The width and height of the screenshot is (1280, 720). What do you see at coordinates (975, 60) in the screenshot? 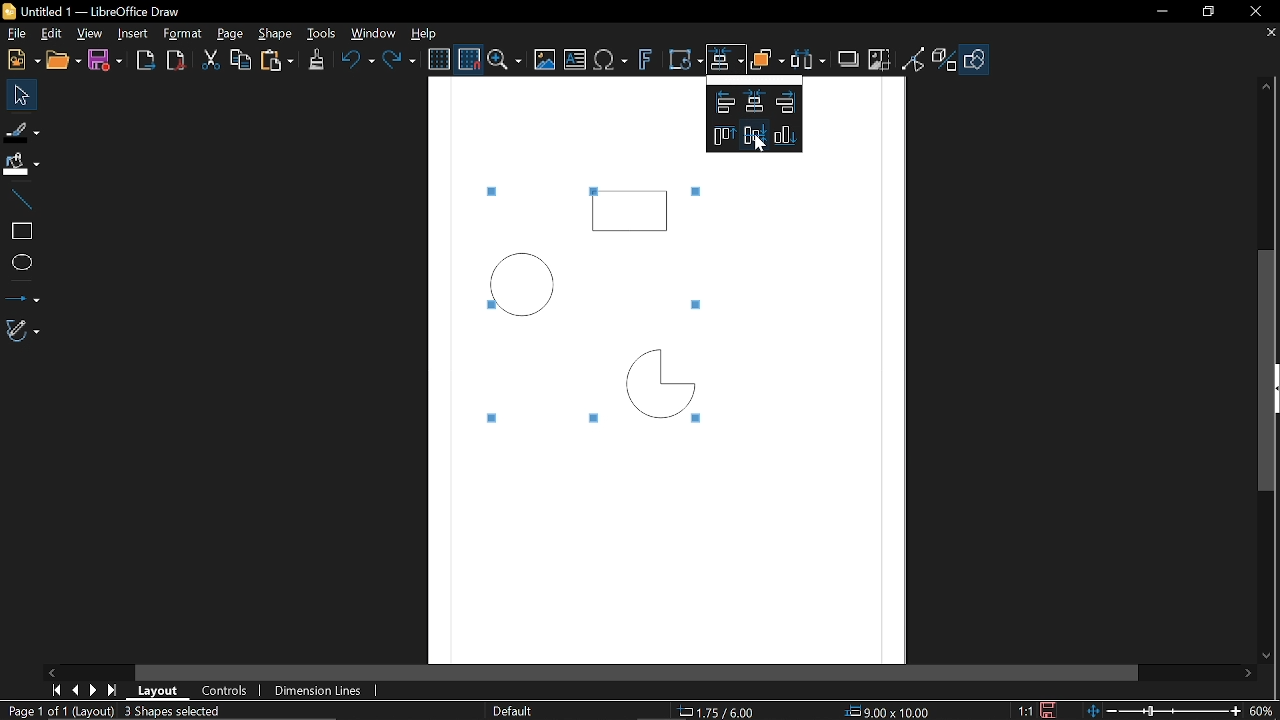
I see `Shapes` at bounding box center [975, 60].